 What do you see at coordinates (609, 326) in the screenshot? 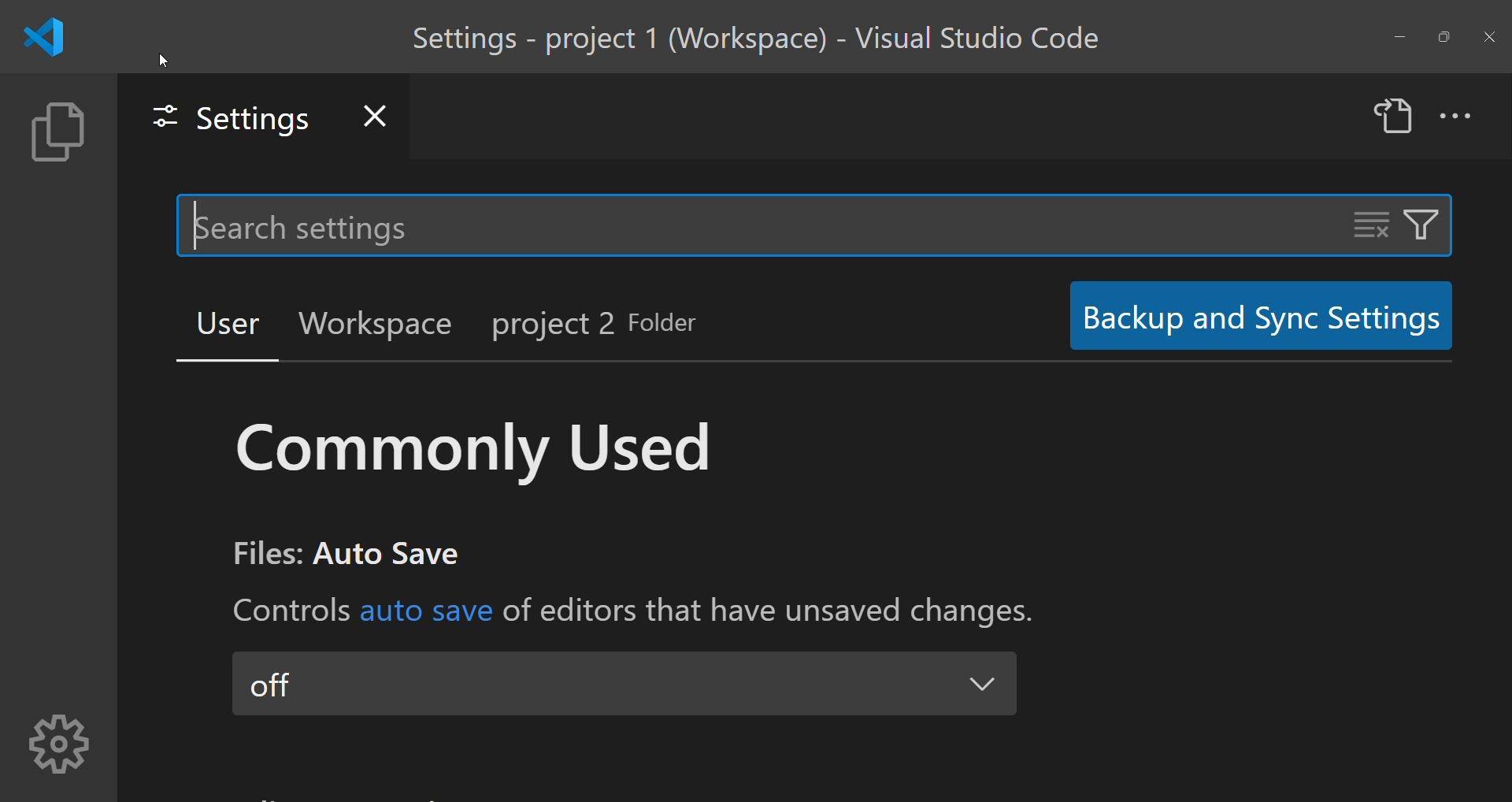
I see `project 2 folder` at bounding box center [609, 326].